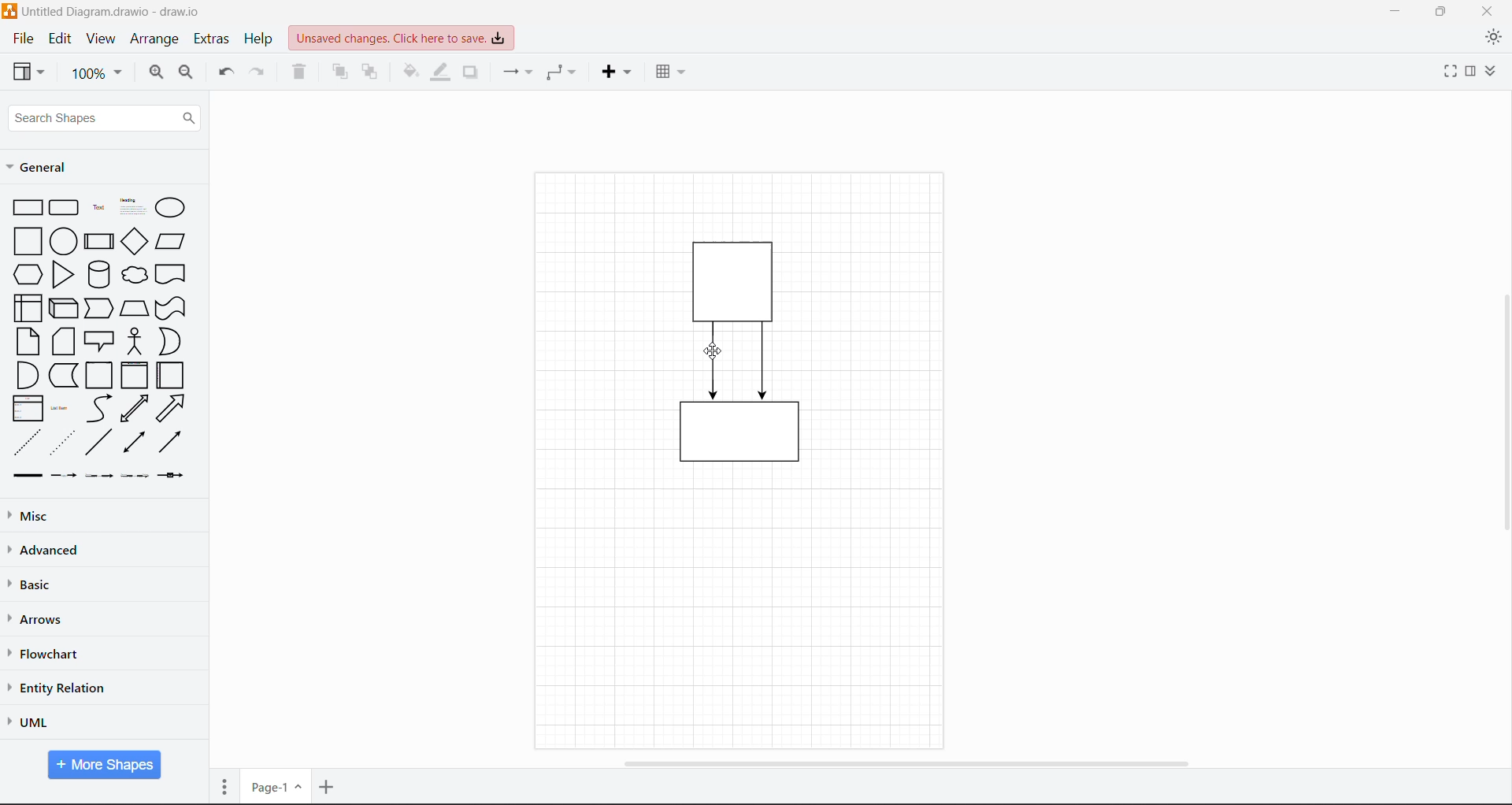 This screenshot has height=805, width=1512. What do you see at coordinates (170, 208) in the screenshot?
I see `Ellipse` at bounding box center [170, 208].